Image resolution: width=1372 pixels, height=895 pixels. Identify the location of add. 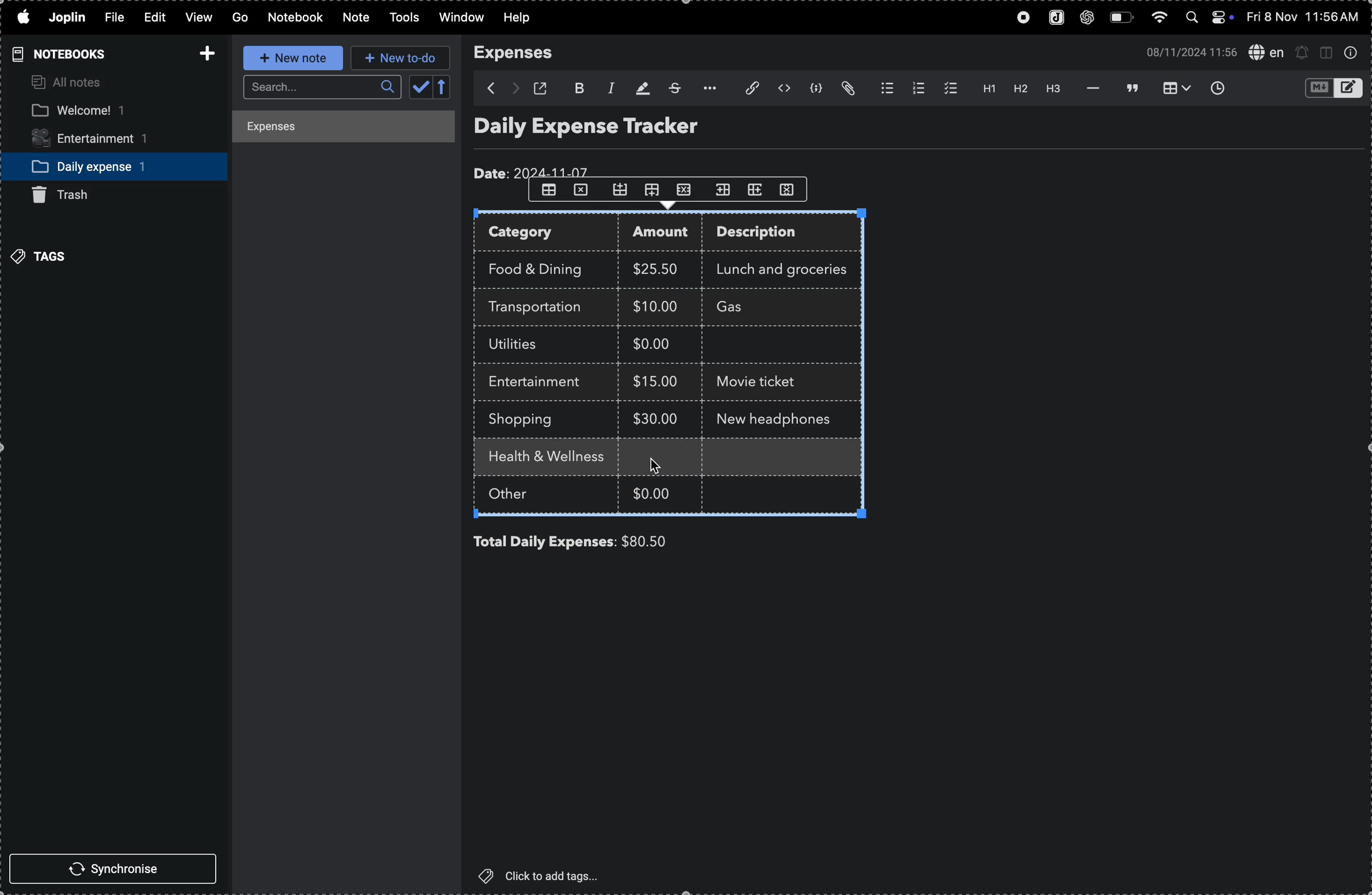
(203, 50).